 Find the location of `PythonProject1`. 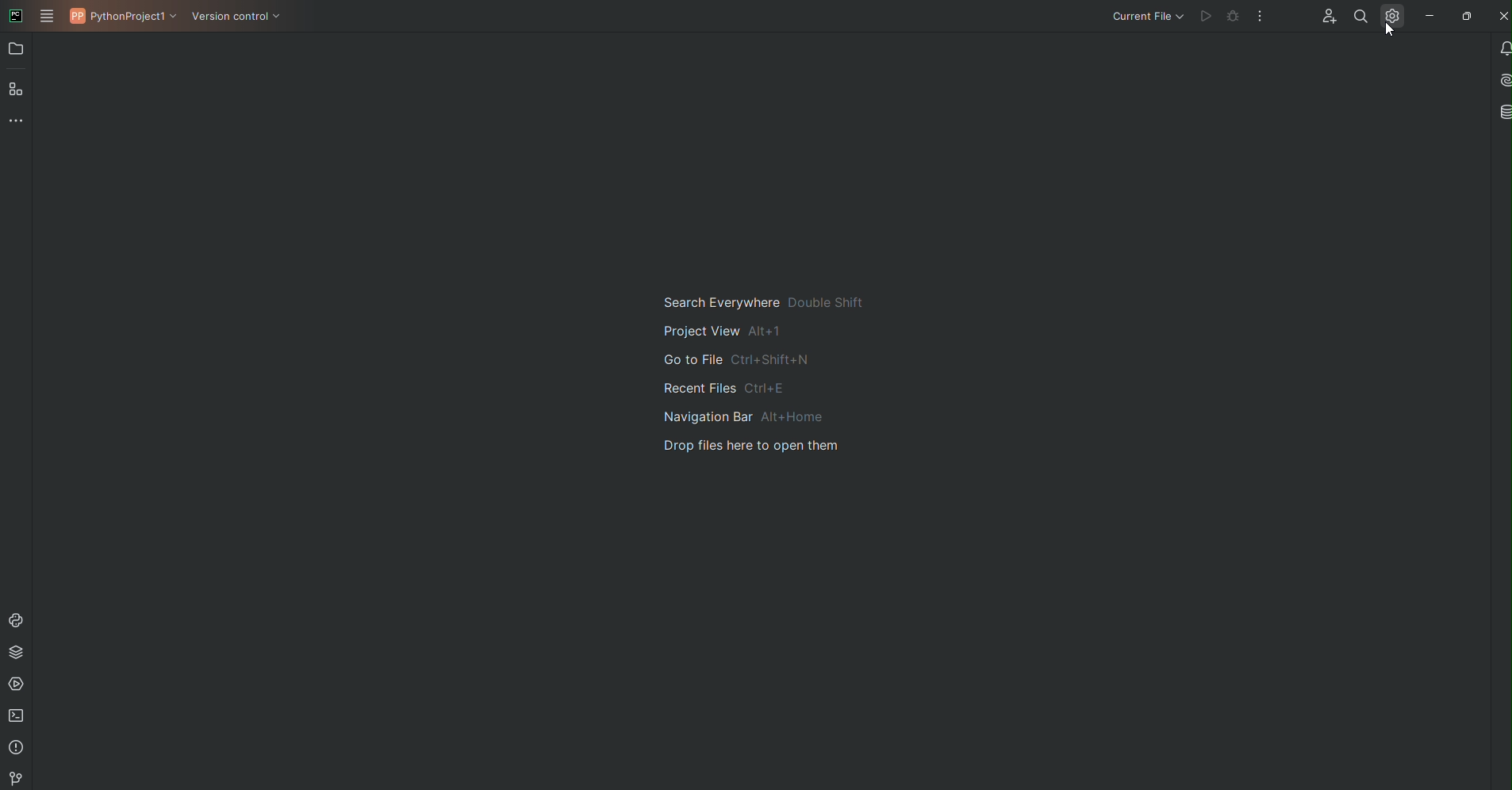

PythonProject1 is located at coordinates (125, 19).